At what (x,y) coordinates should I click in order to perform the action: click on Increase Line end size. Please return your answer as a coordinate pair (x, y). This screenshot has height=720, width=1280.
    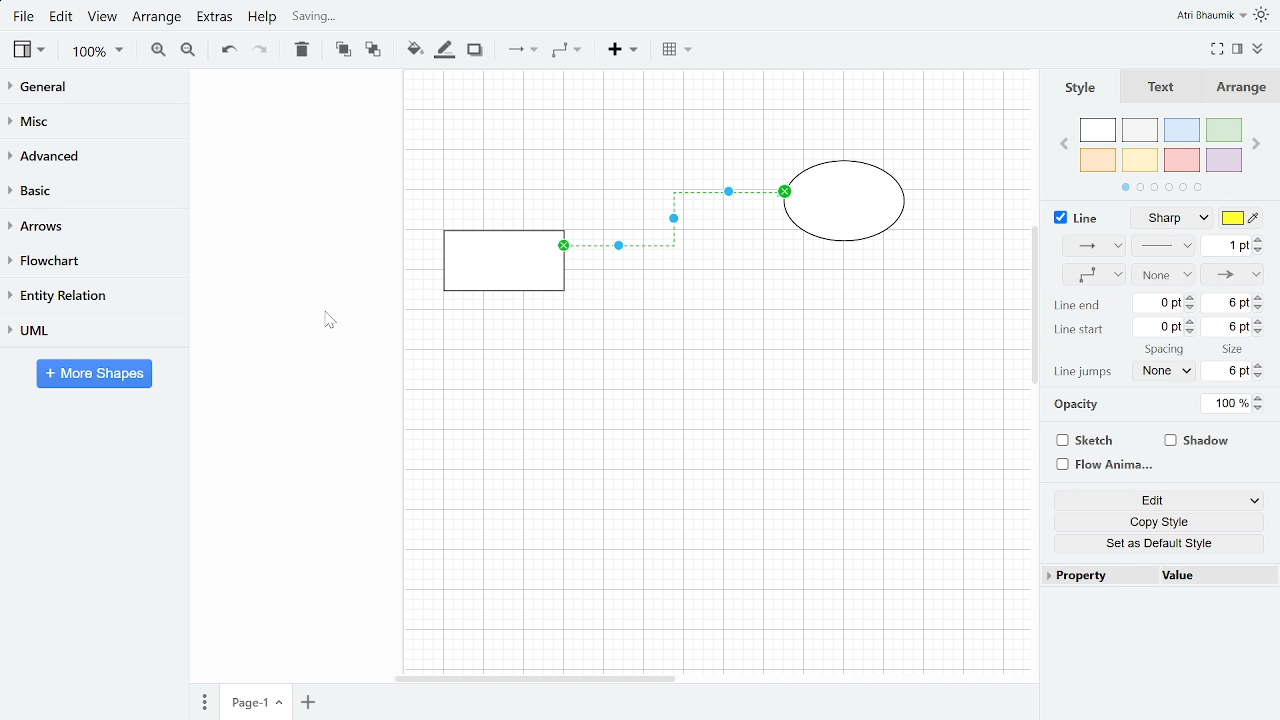
    Looking at the image, I should click on (1259, 296).